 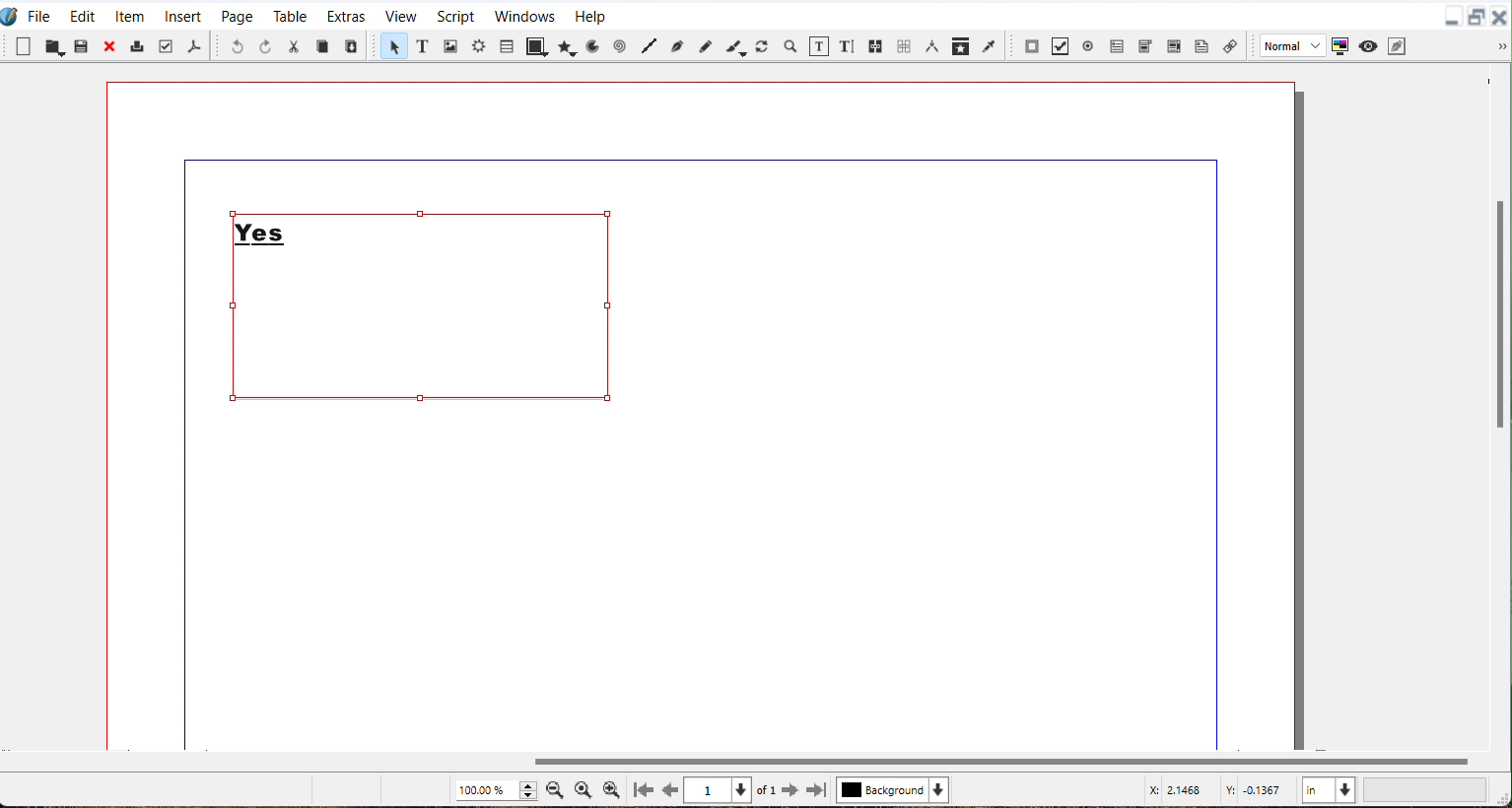 I want to click on Zoom to 100%, so click(x=583, y=788).